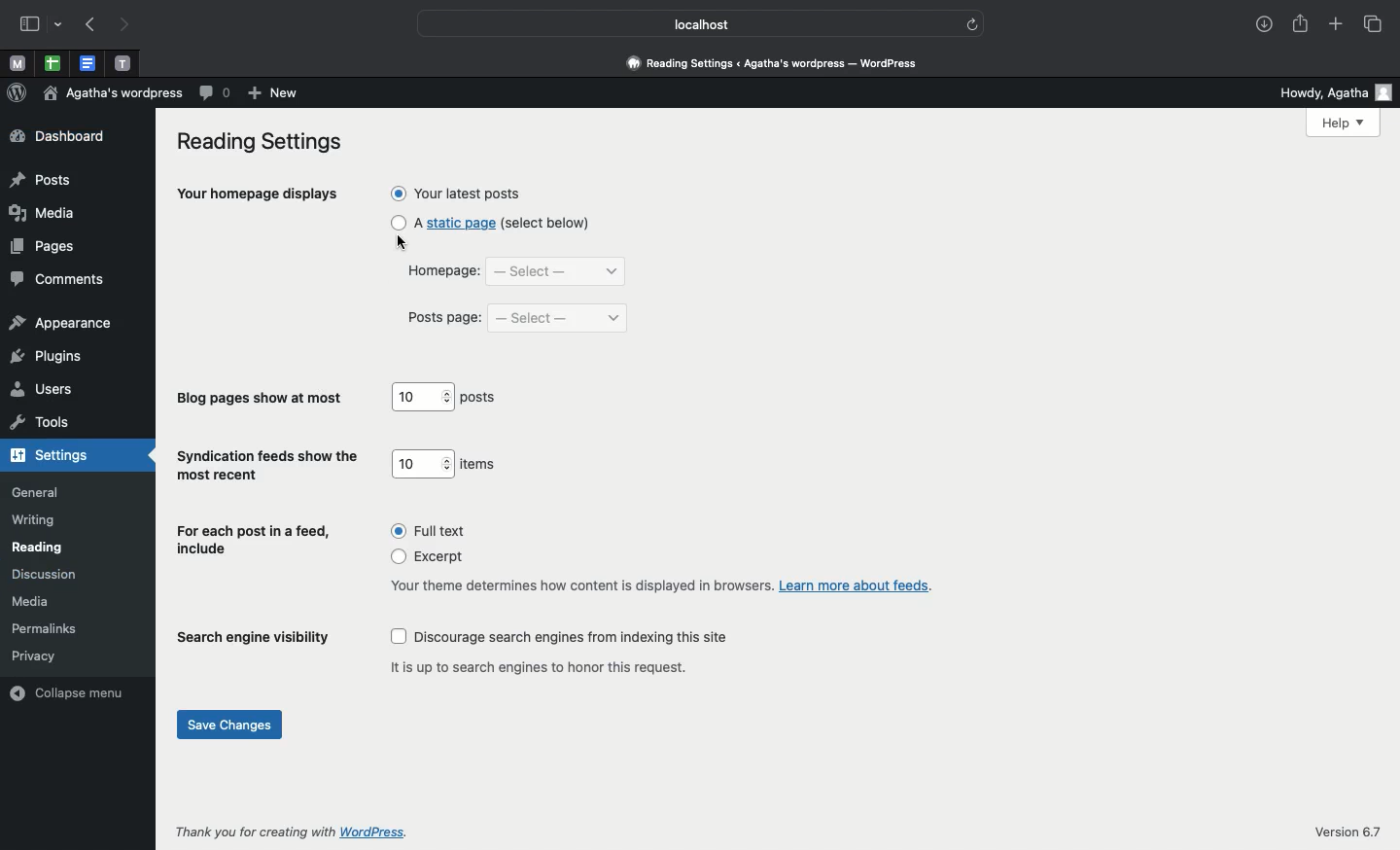 The image size is (1400, 850). Describe the element at coordinates (57, 280) in the screenshot. I see `comments` at that location.